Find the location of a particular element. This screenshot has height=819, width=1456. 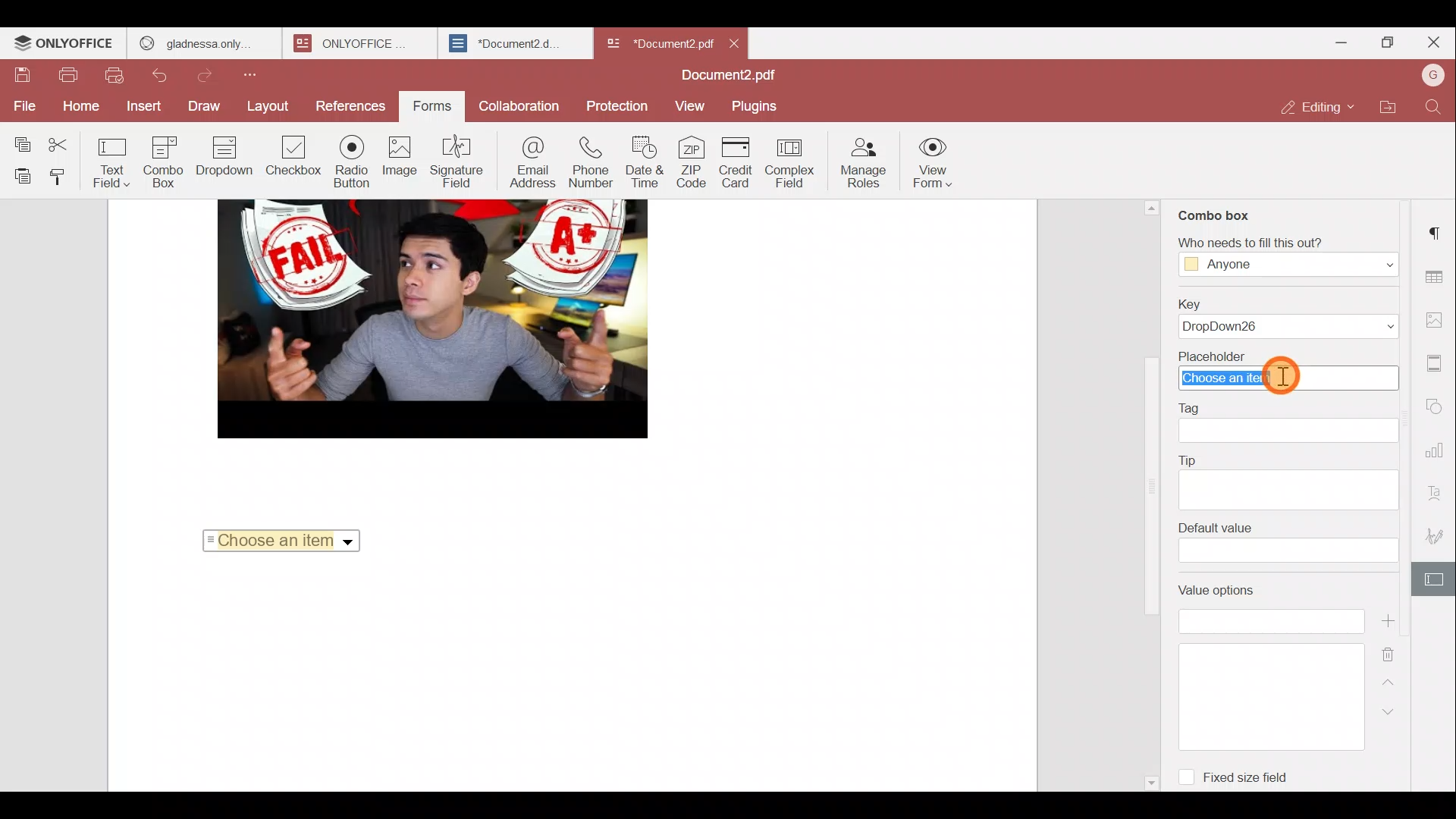

Table settings is located at coordinates (1439, 277).